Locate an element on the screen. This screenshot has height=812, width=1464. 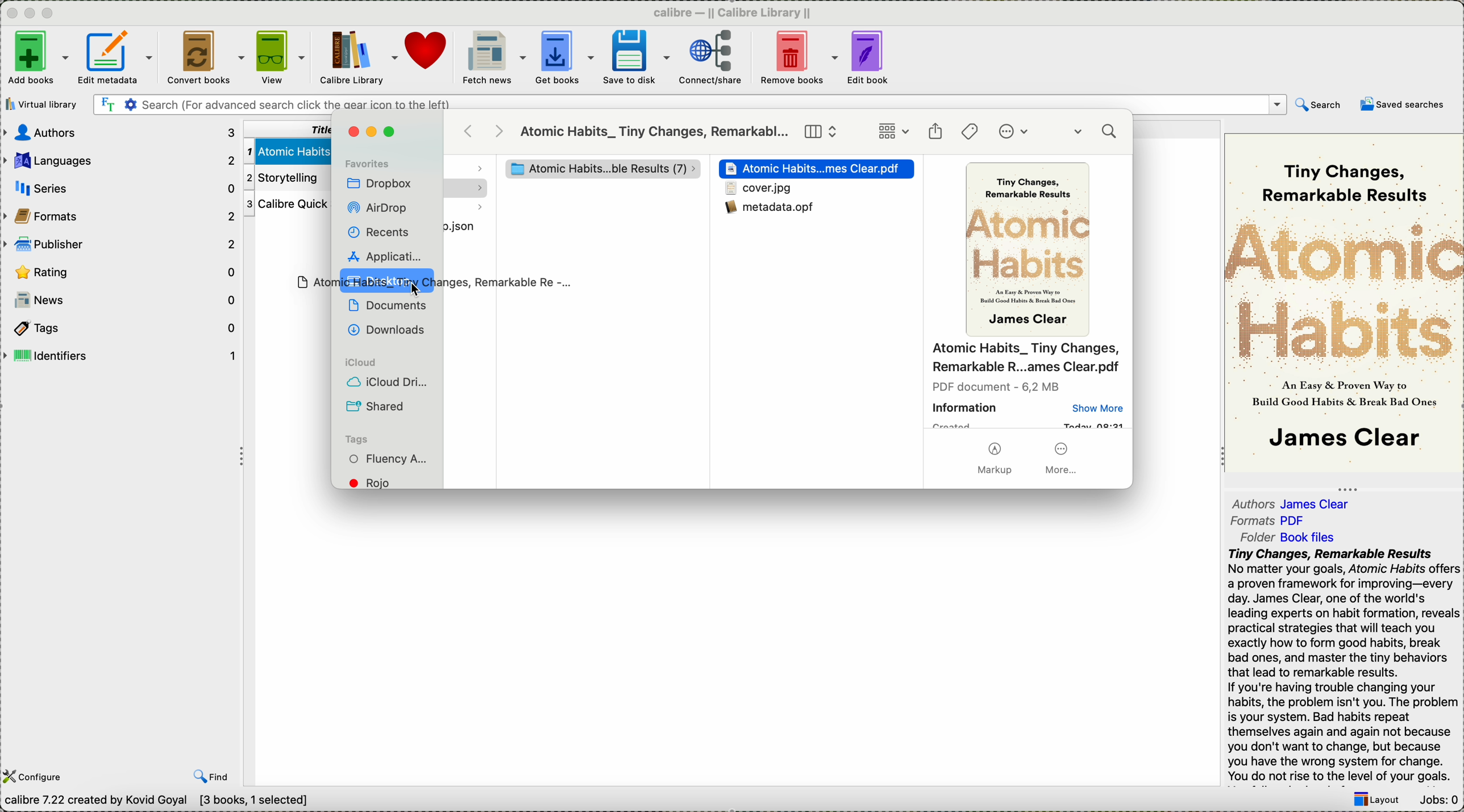
disable buttons program is located at coordinates (32, 14).